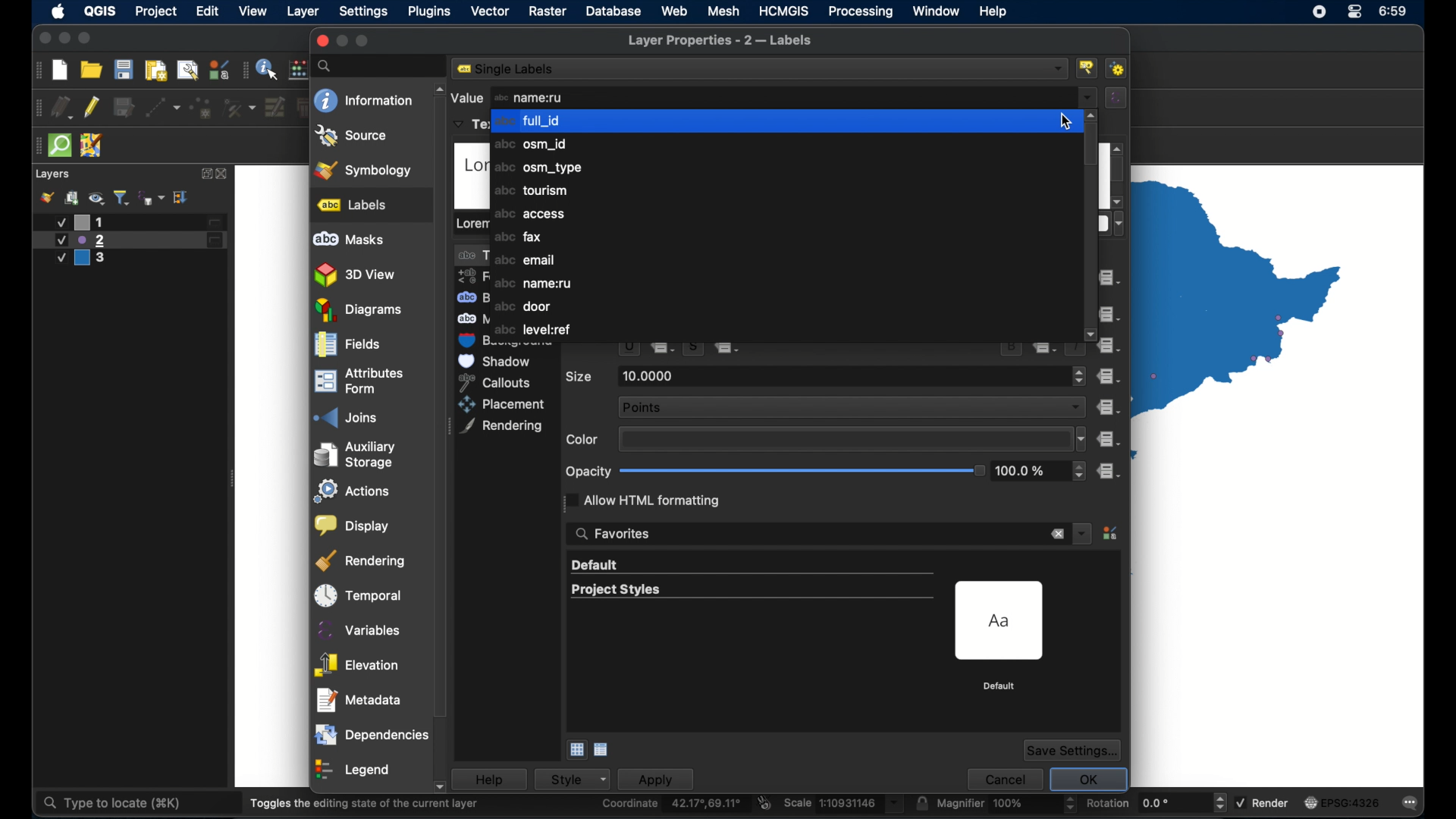 The image size is (1456, 819). Describe the element at coordinates (613, 535) in the screenshot. I see `search favorites` at that location.